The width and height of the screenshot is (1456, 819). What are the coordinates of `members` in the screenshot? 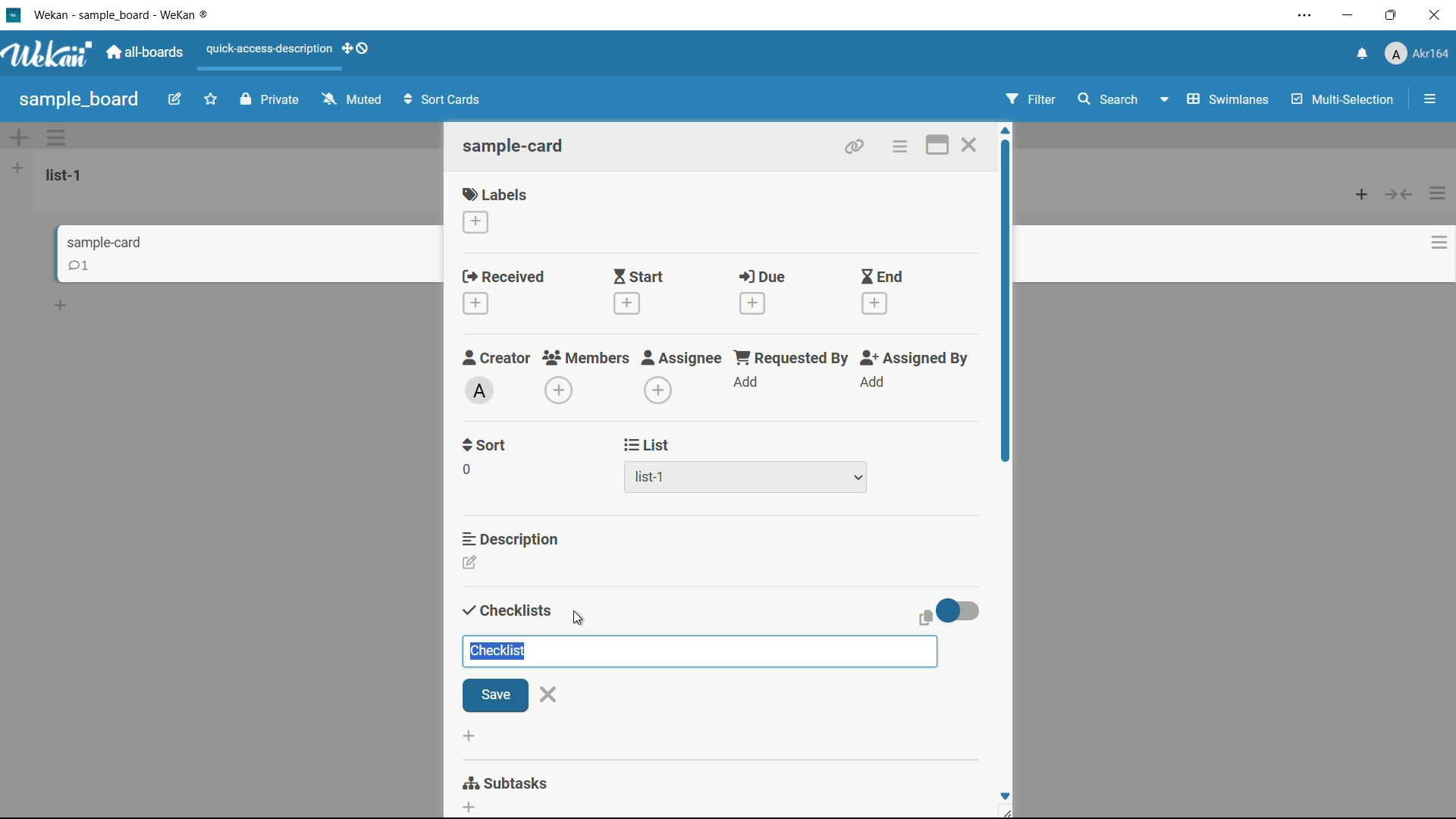 It's located at (588, 359).